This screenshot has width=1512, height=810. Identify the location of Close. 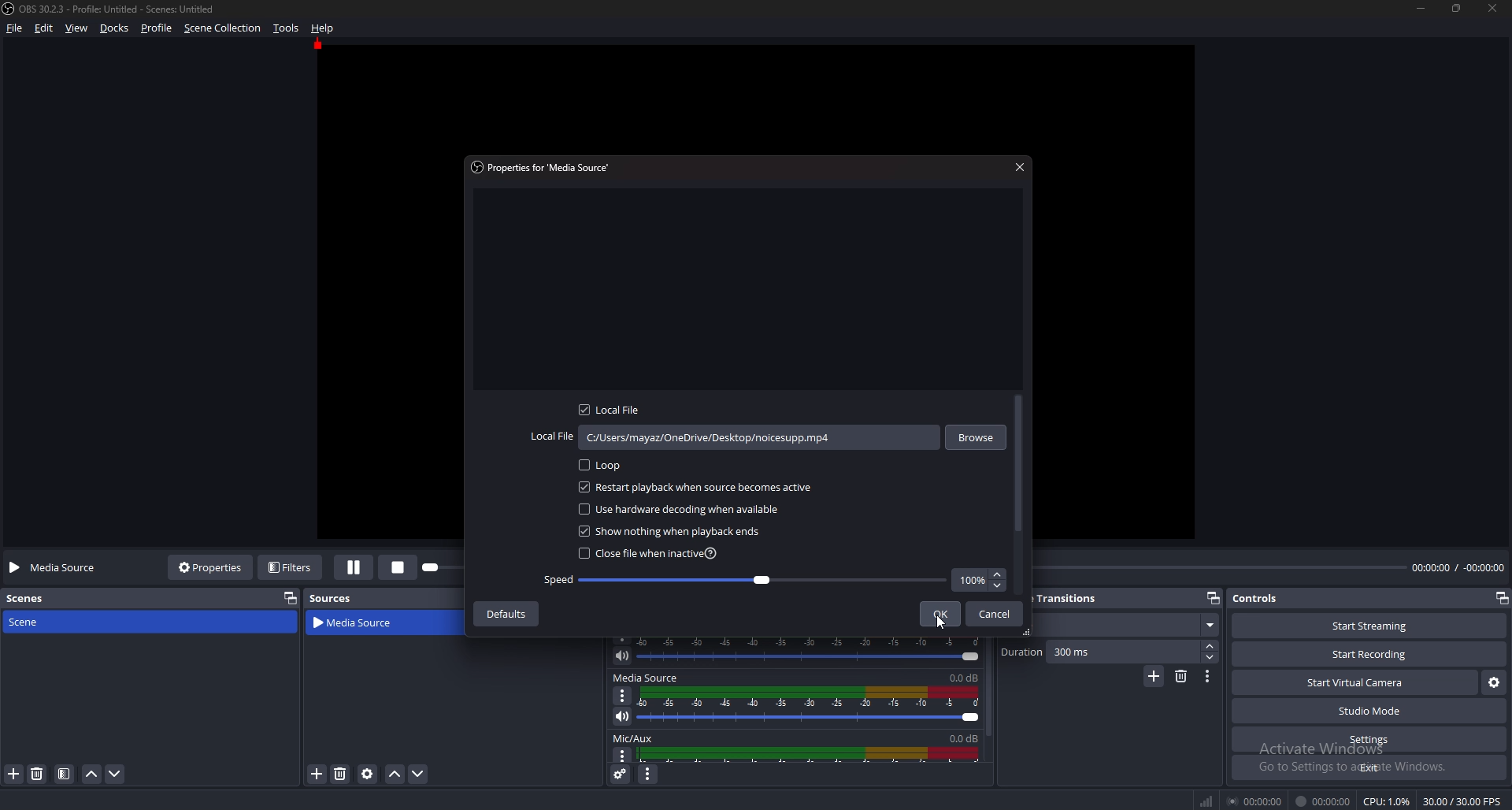
(1018, 166).